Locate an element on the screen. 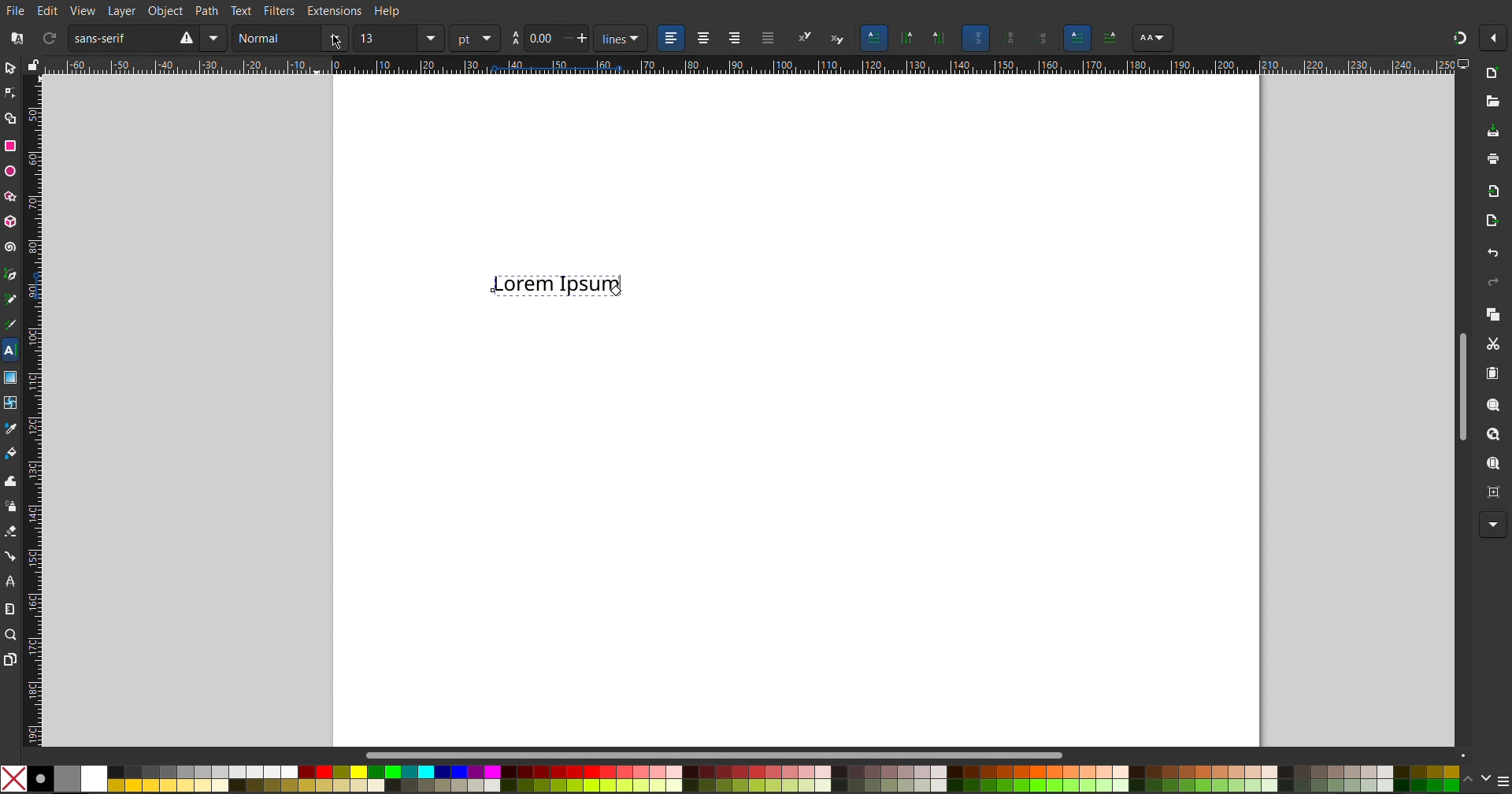 The image size is (1512, 794). Font size is located at coordinates (398, 39).